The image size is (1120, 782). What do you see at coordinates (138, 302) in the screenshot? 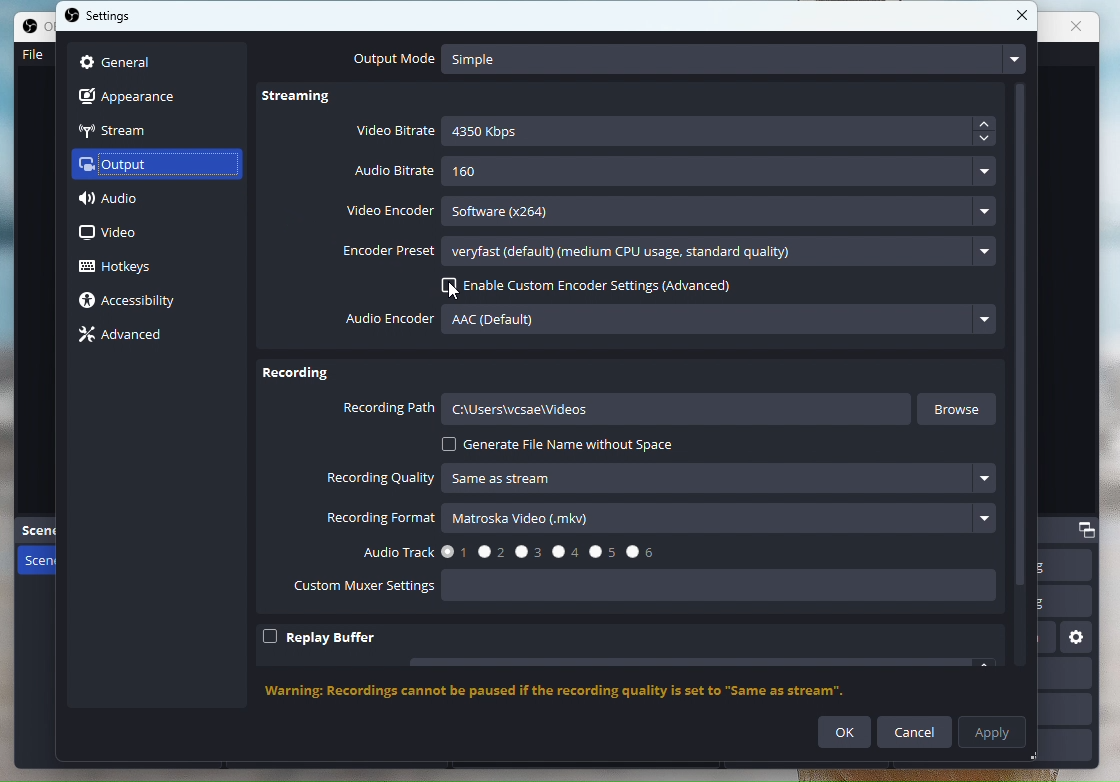
I see `Accessibility` at bounding box center [138, 302].